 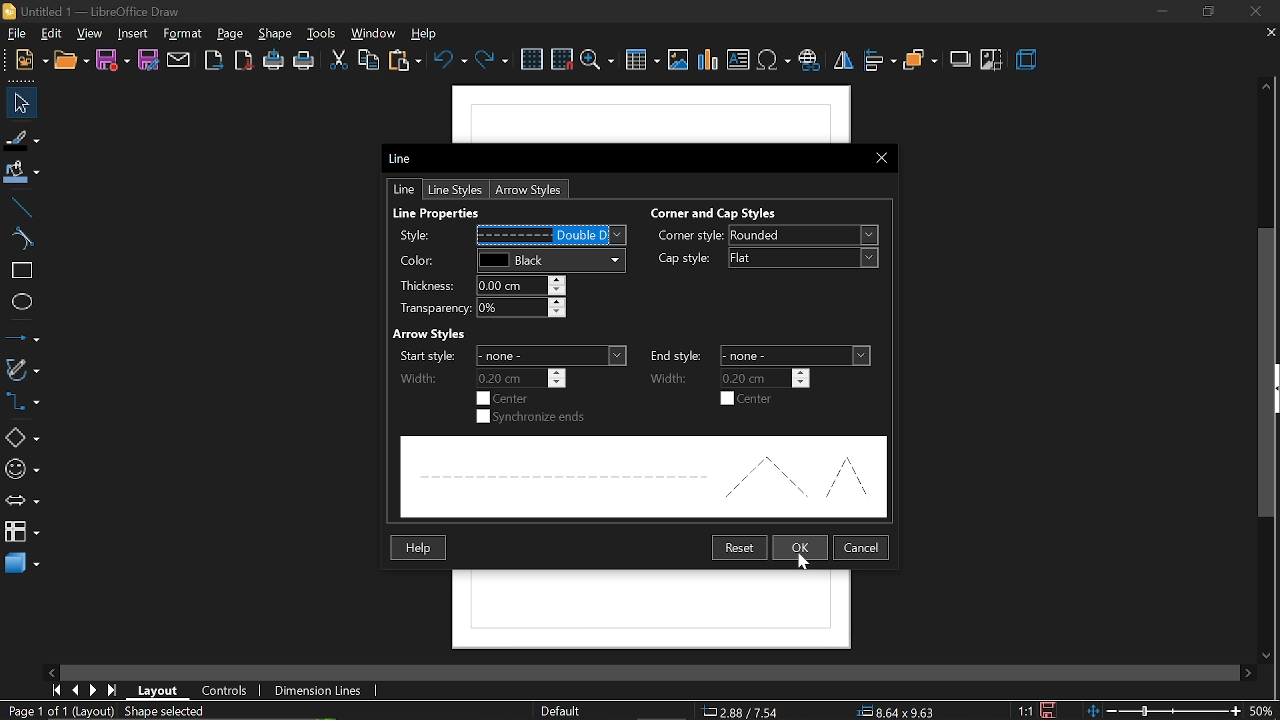 What do you see at coordinates (277, 32) in the screenshot?
I see `shape` at bounding box center [277, 32].